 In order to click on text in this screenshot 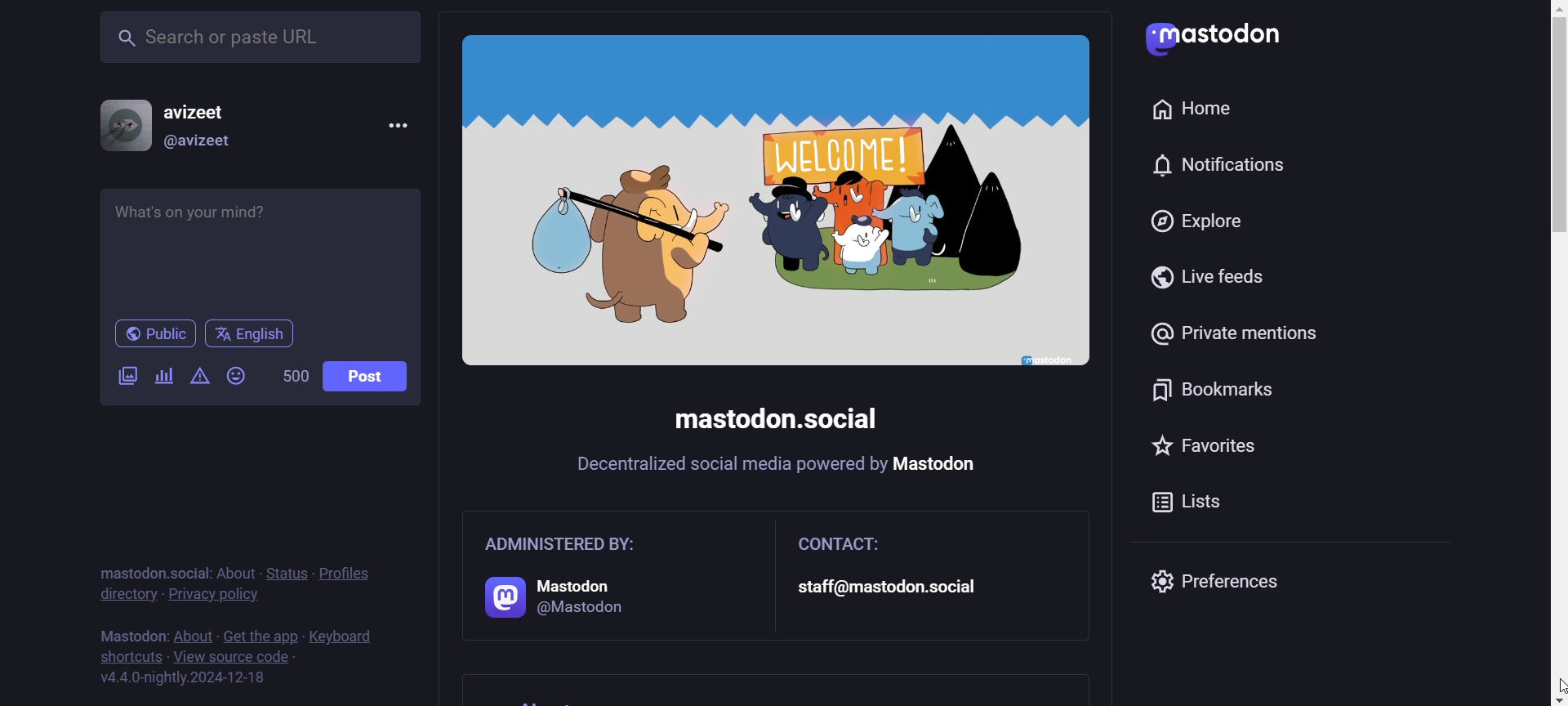, I will do `click(149, 564)`.